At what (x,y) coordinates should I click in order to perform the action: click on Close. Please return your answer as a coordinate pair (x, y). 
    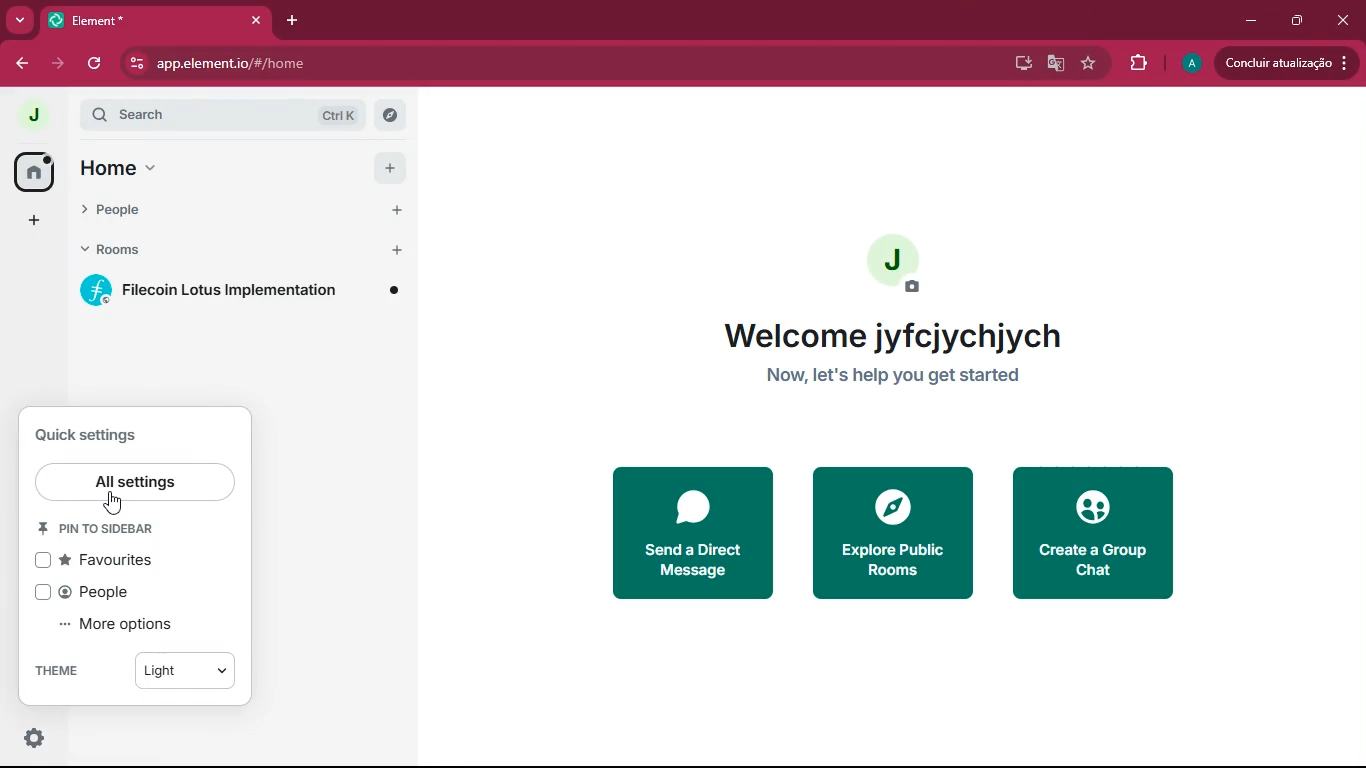
    Looking at the image, I should click on (1344, 20).